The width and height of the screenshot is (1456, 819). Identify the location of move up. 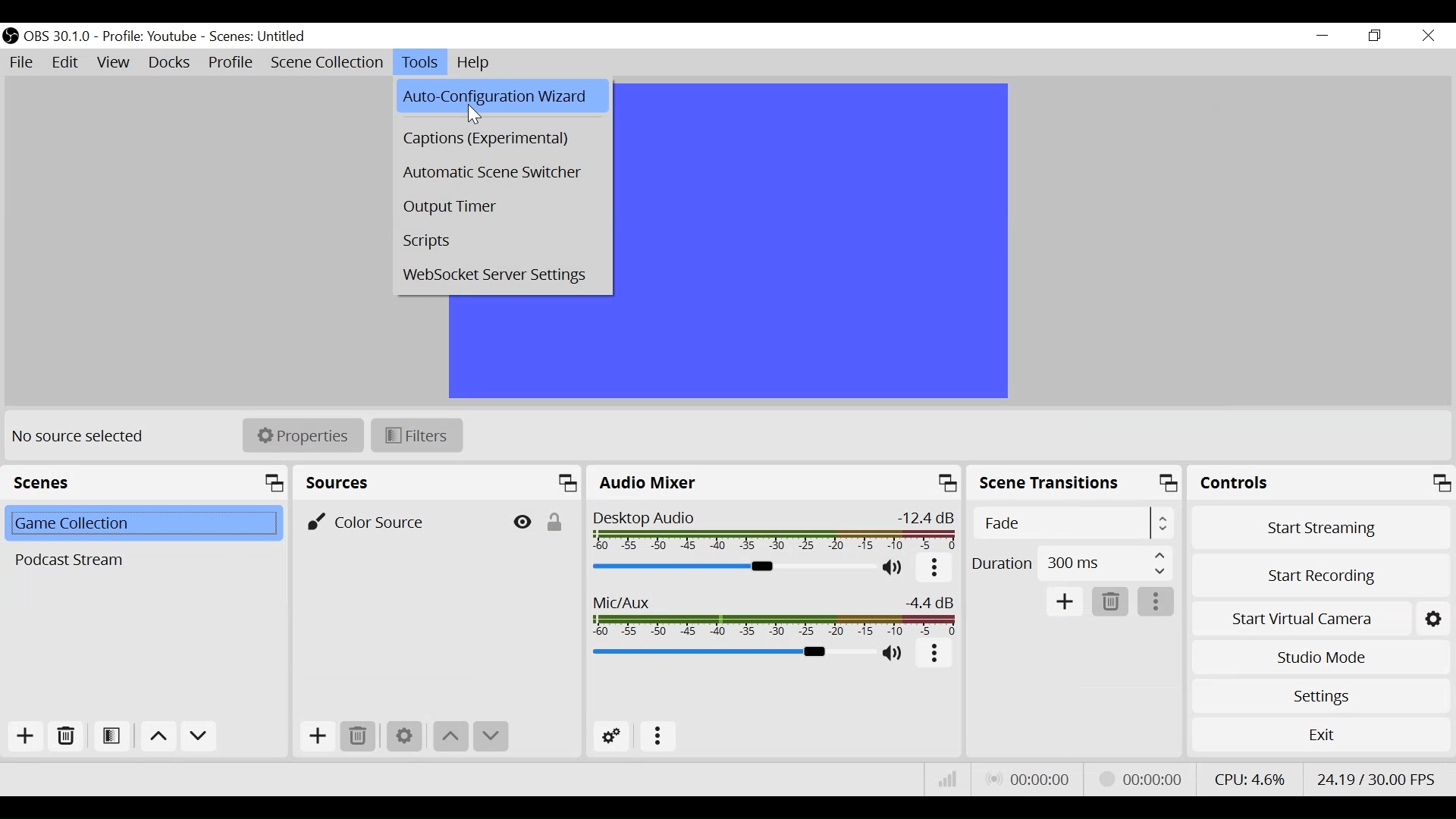
(452, 738).